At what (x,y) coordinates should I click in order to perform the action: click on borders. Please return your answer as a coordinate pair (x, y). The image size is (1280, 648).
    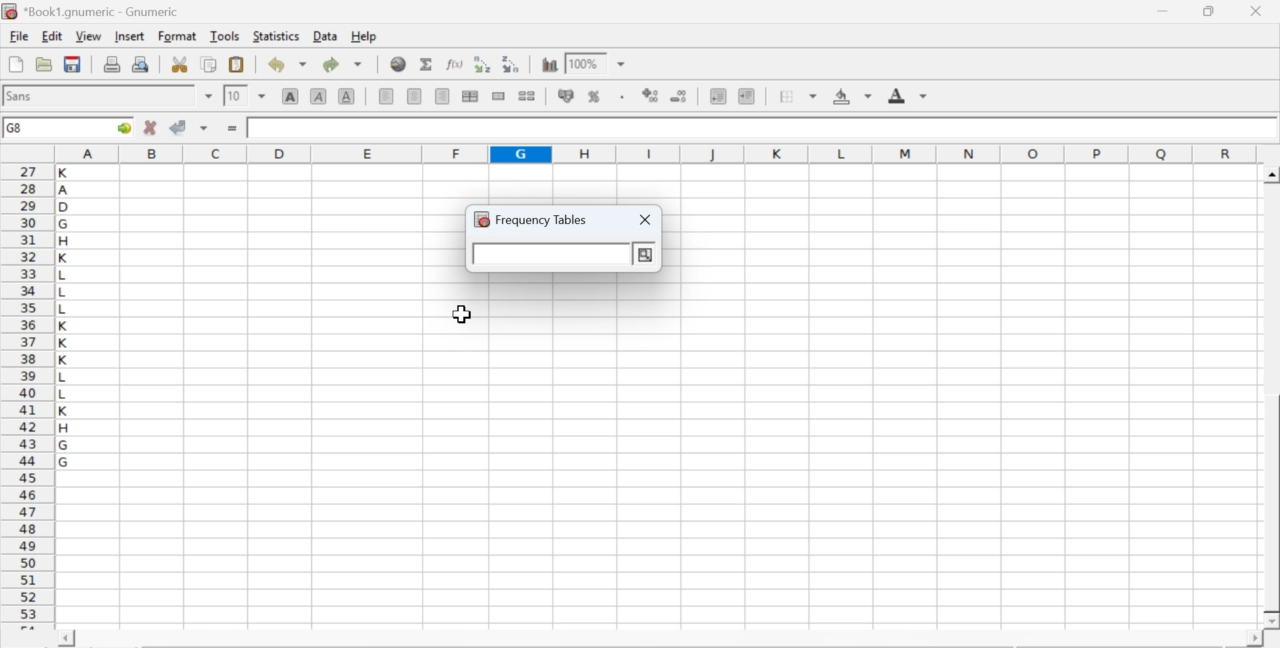
    Looking at the image, I should click on (799, 96).